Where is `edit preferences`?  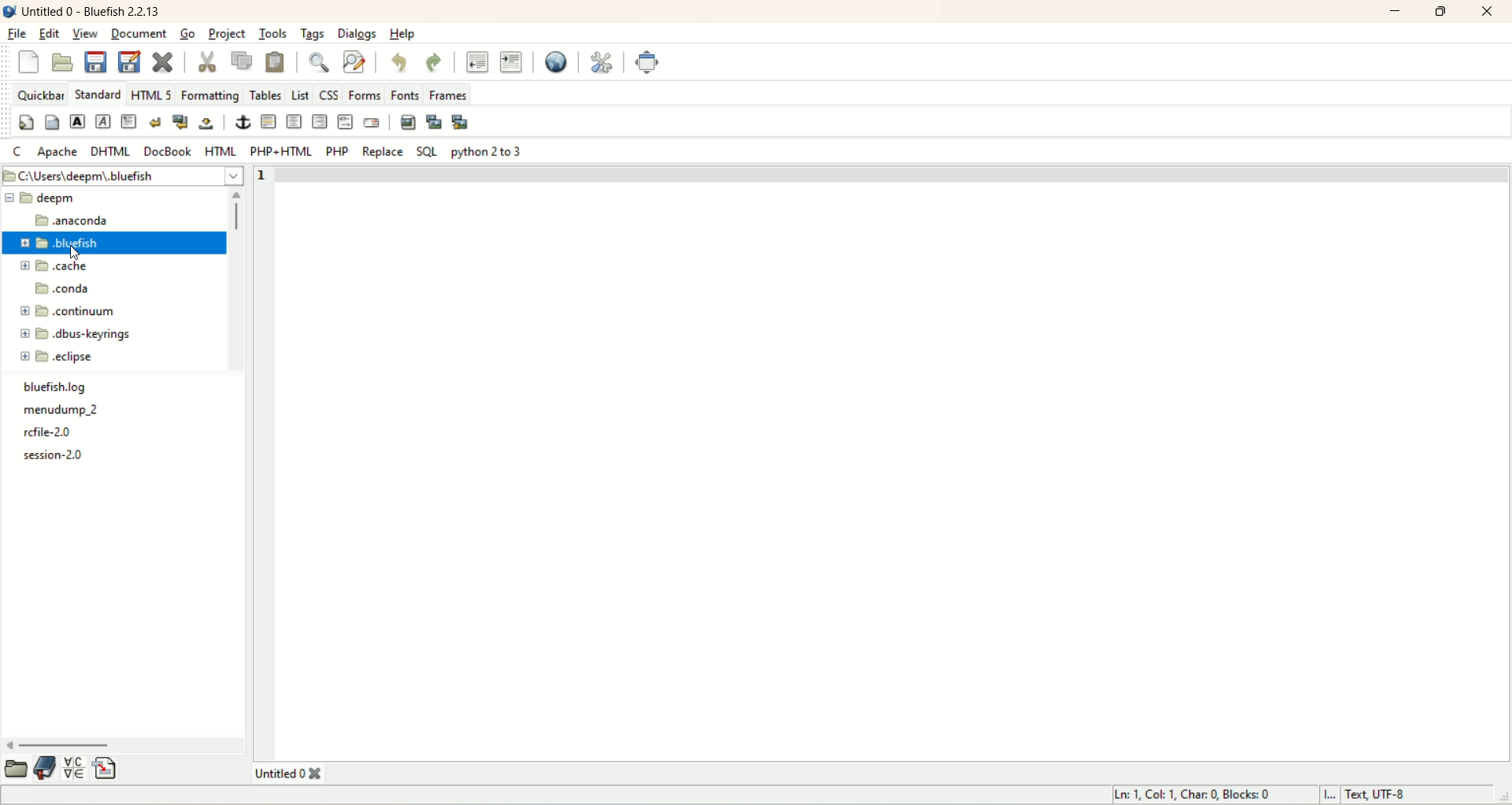 edit preferences is located at coordinates (606, 63).